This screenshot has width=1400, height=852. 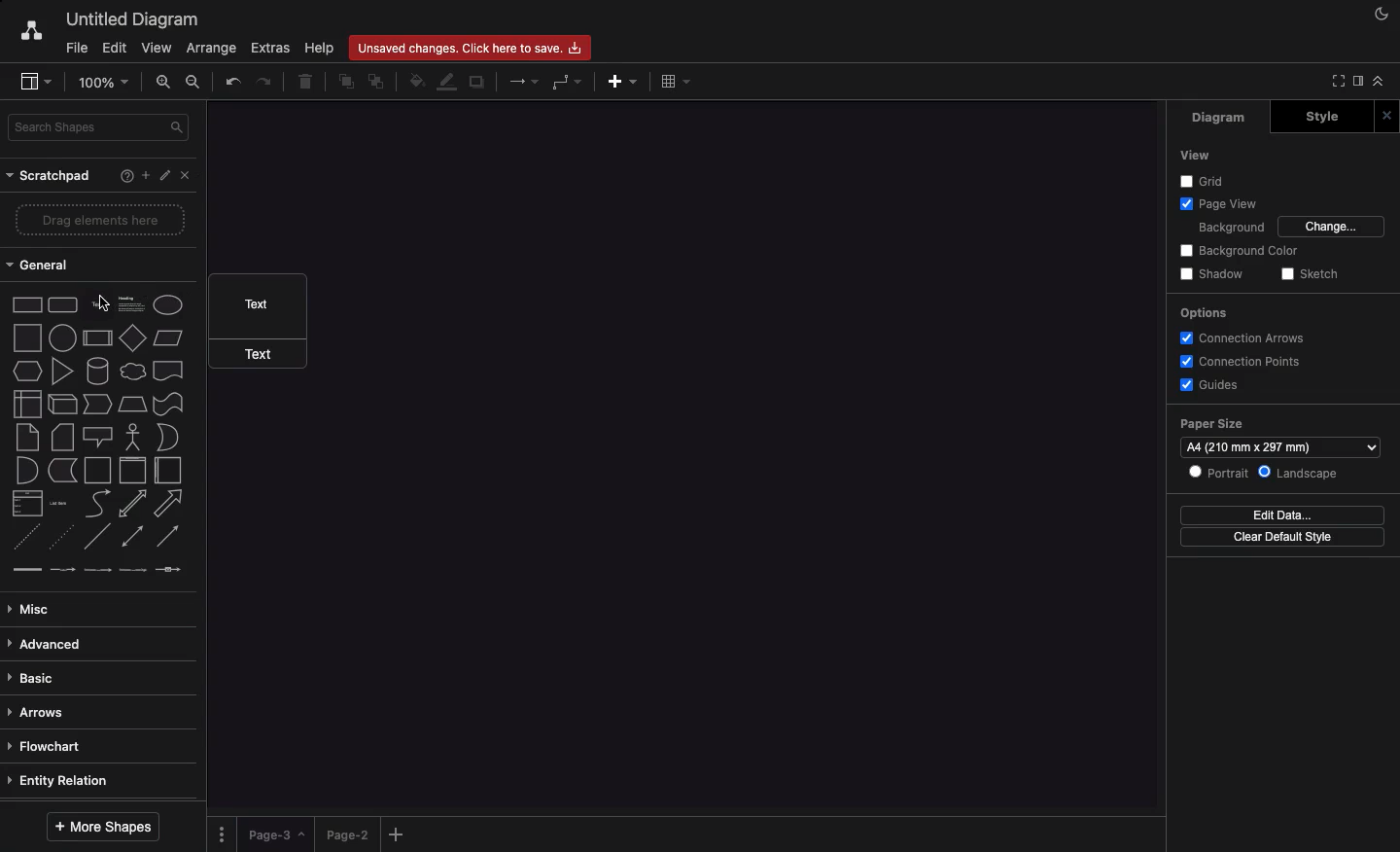 I want to click on Page view, so click(x=1220, y=203).